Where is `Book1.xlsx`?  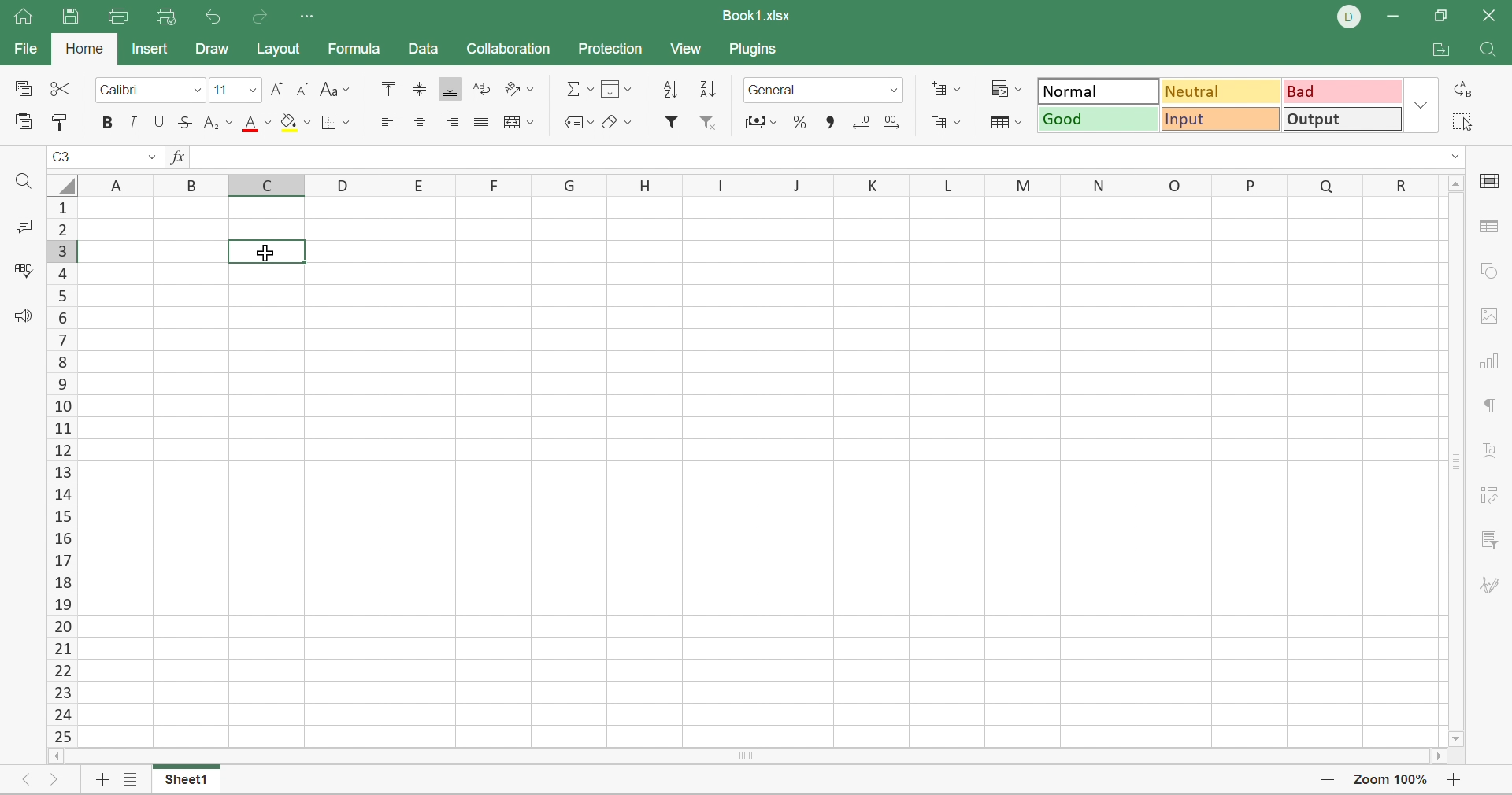
Book1.xlsx is located at coordinates (757, 14).